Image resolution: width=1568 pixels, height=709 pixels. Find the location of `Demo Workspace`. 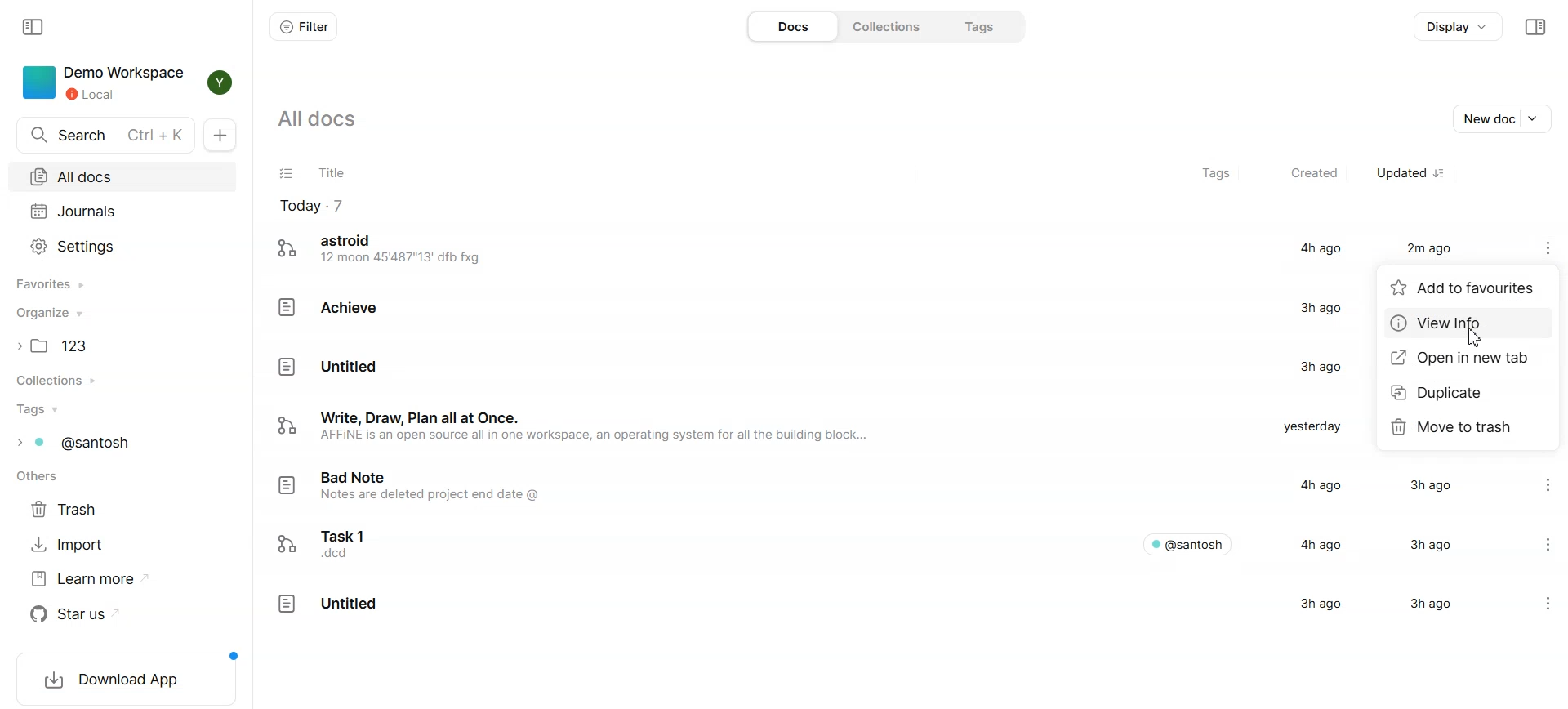

Demo Workspace is located at coordinates (101, 83).